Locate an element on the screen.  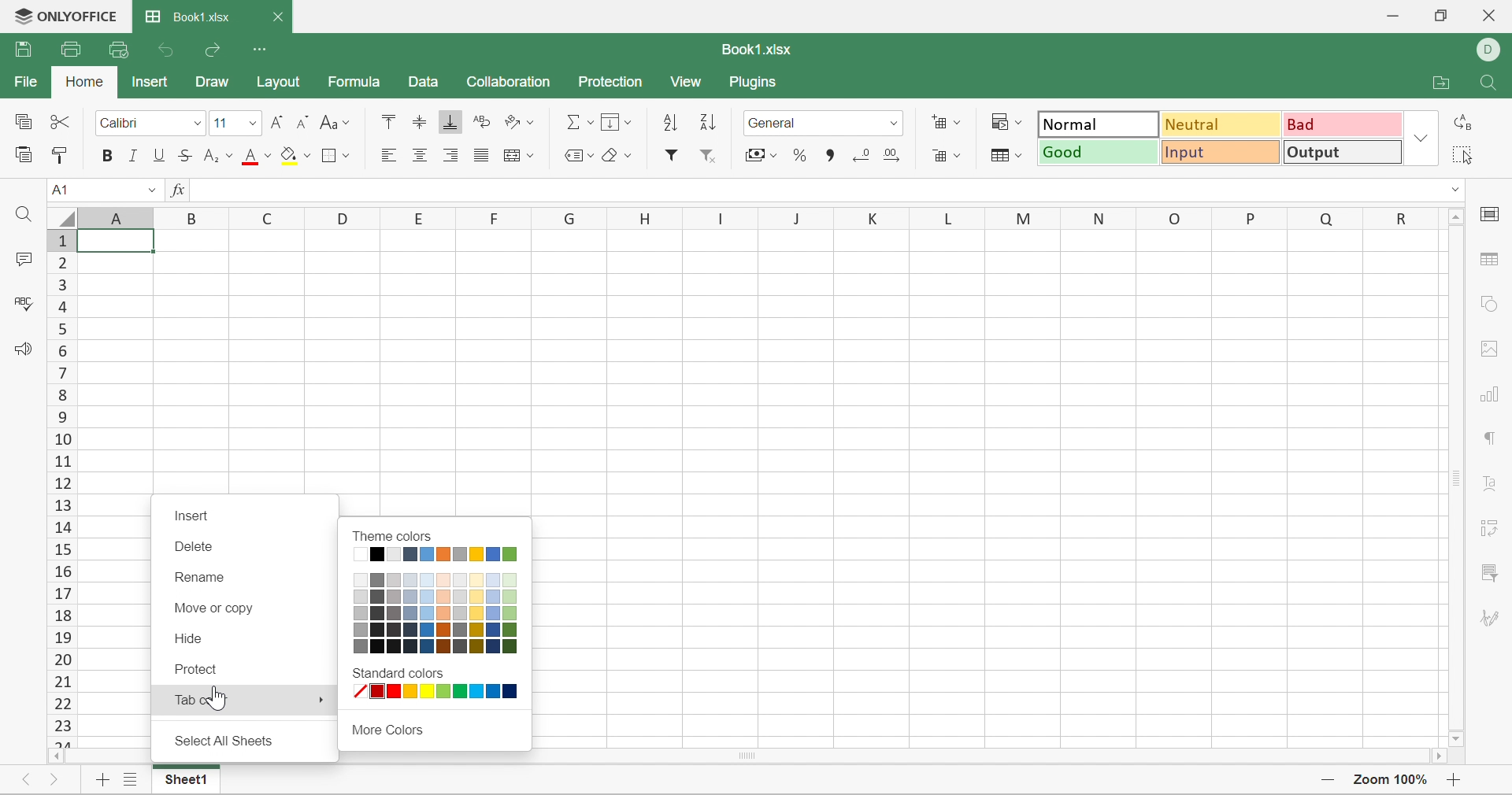
Align Top is located at coordinates (385, 121).